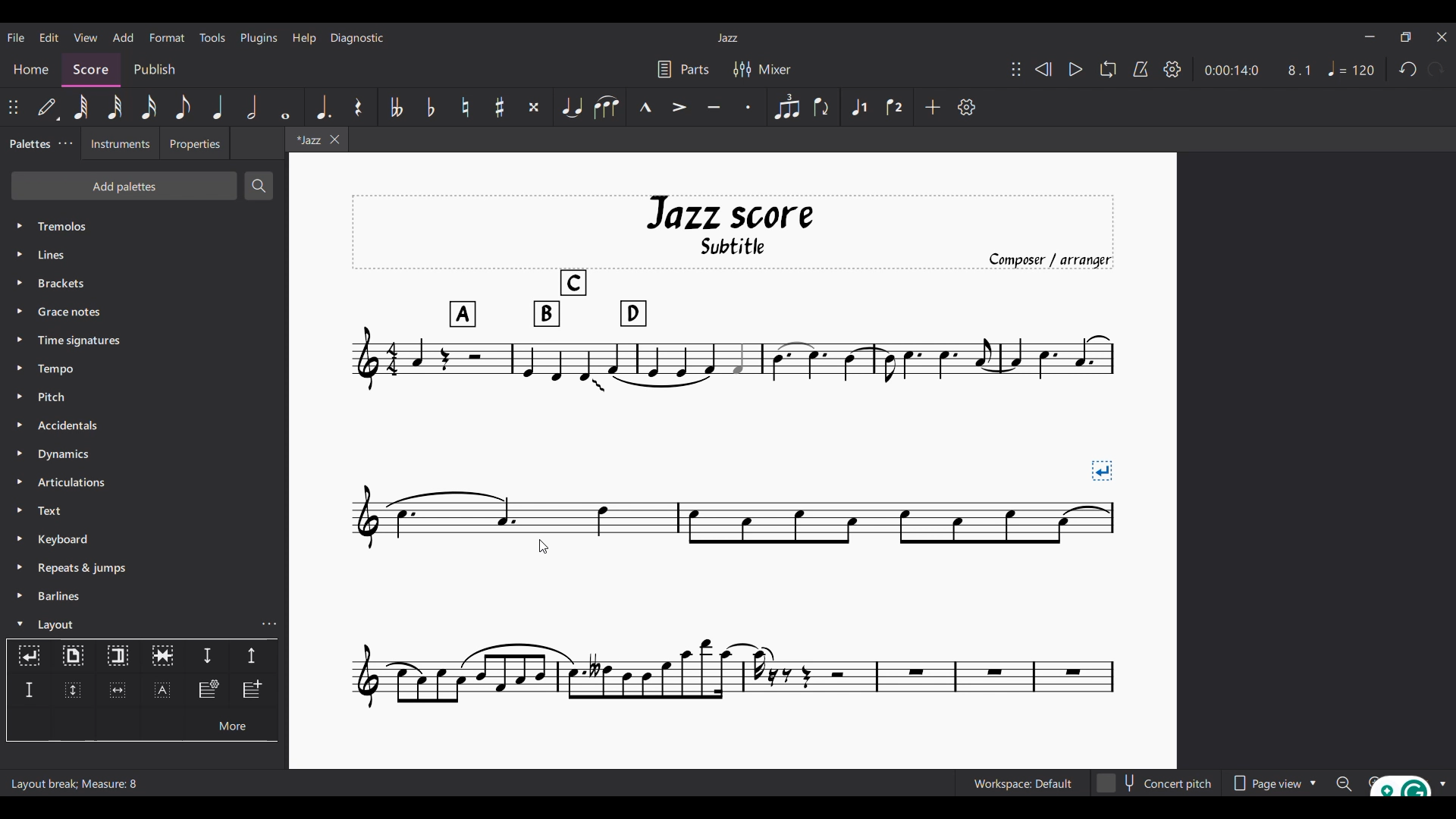  I want to click on Insert text frame, so click(162, 690).